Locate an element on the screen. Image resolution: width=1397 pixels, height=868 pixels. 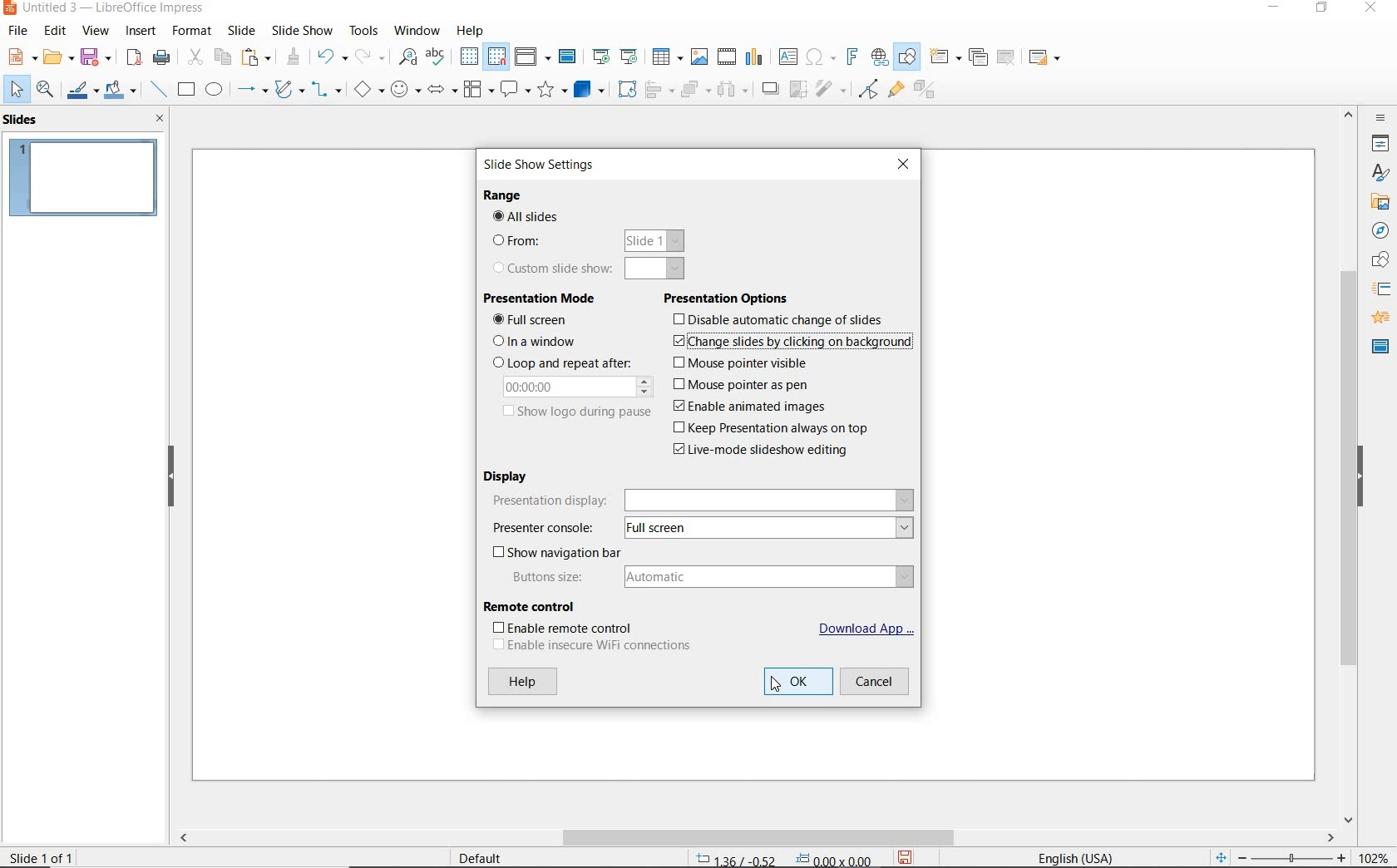
HIDE is located at coordinates (1363, 476).